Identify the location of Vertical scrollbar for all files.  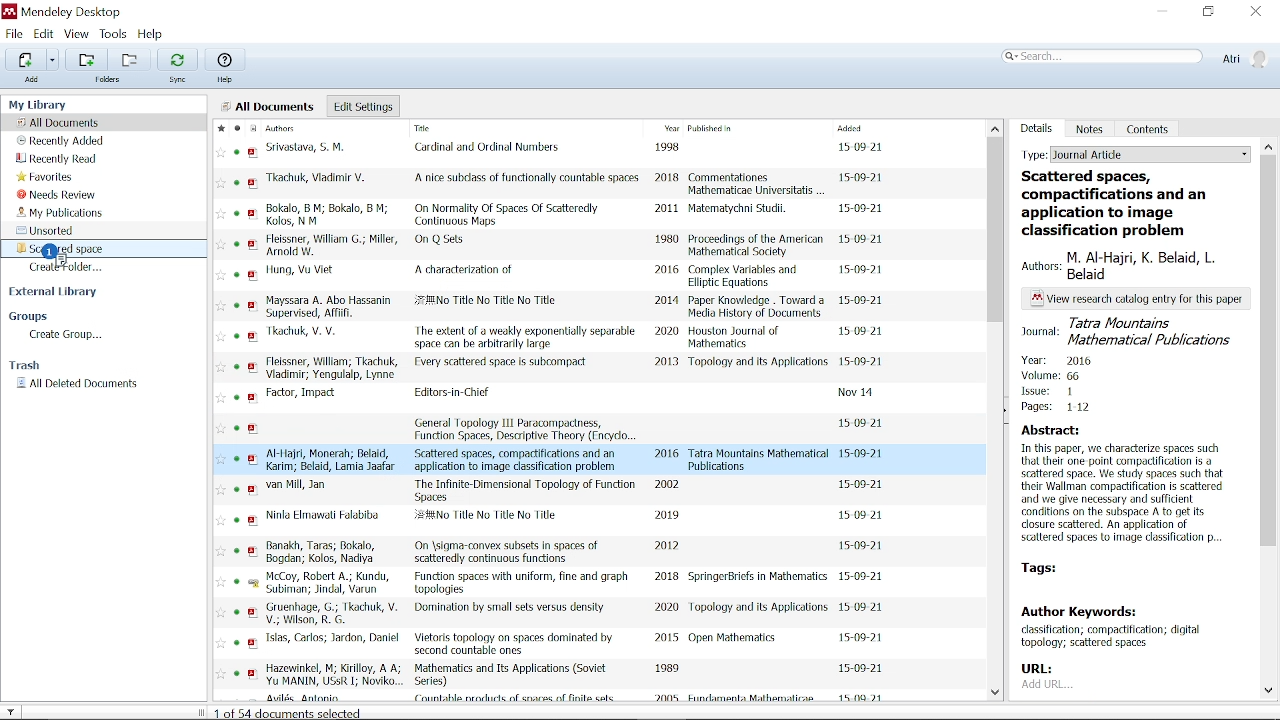
(997, 229).